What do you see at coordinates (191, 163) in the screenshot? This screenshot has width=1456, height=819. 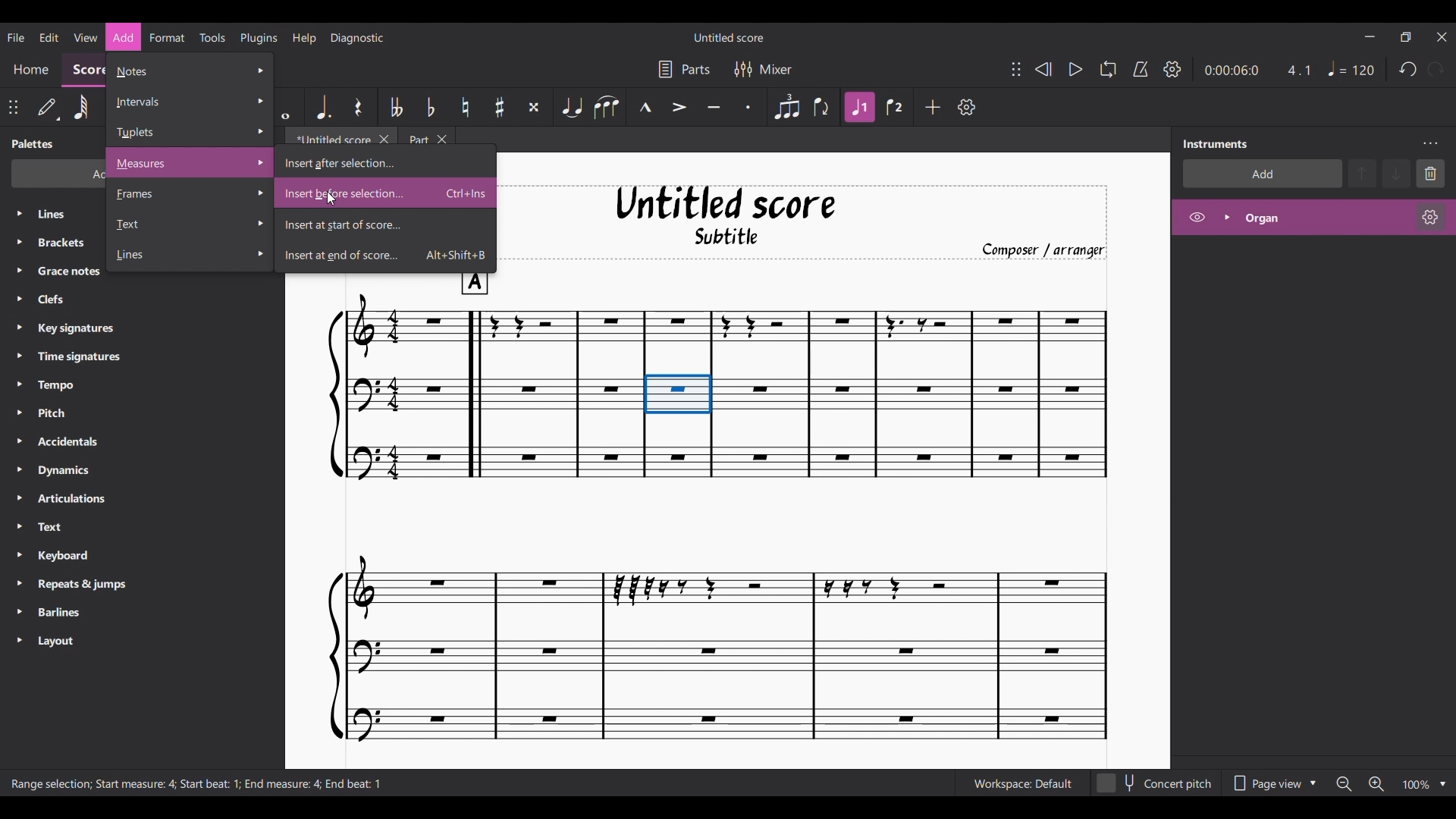 I see `Measures options` at bounding box center [191, 163].